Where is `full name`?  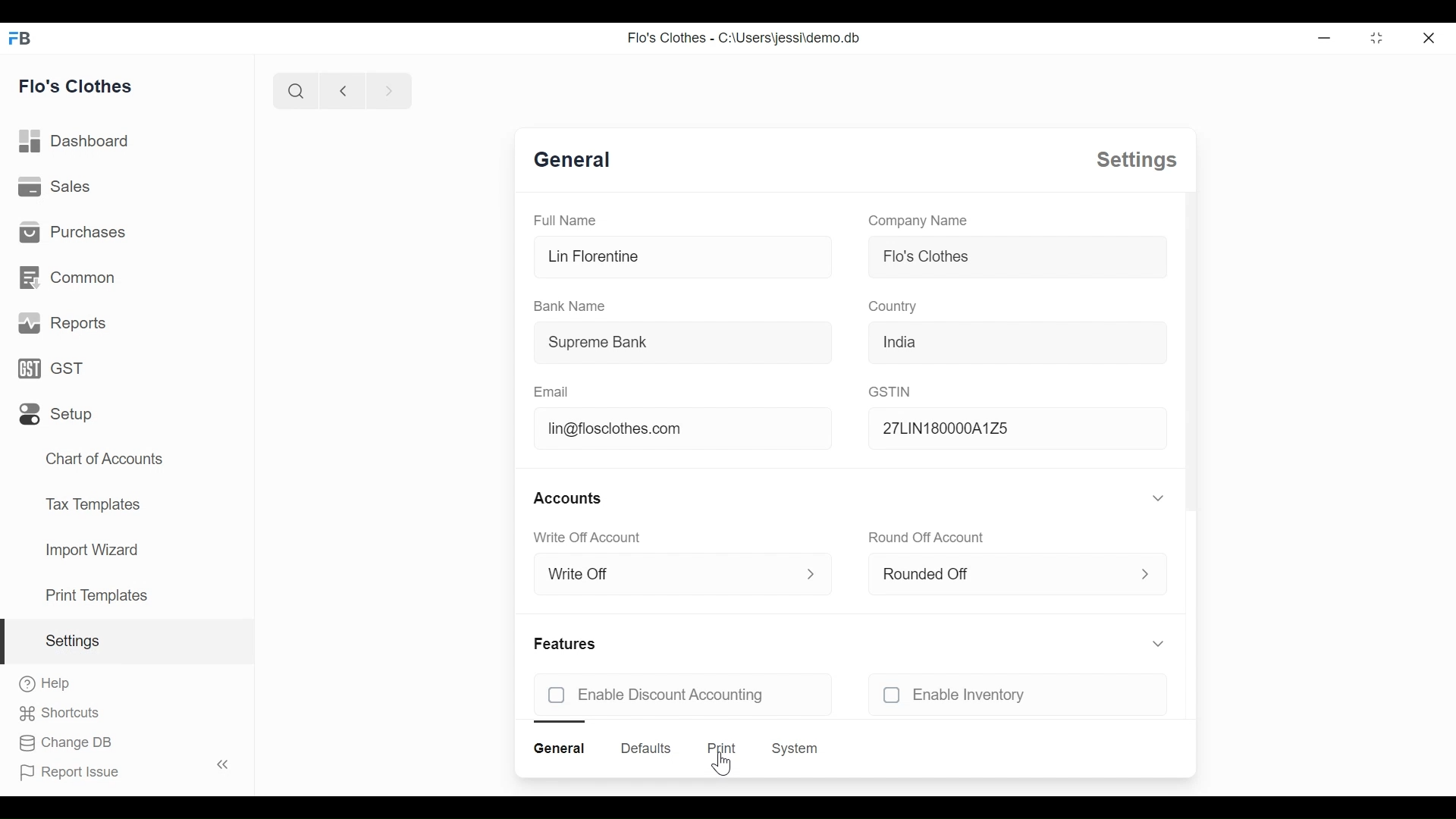
full name is located at coordinates (566, 220).